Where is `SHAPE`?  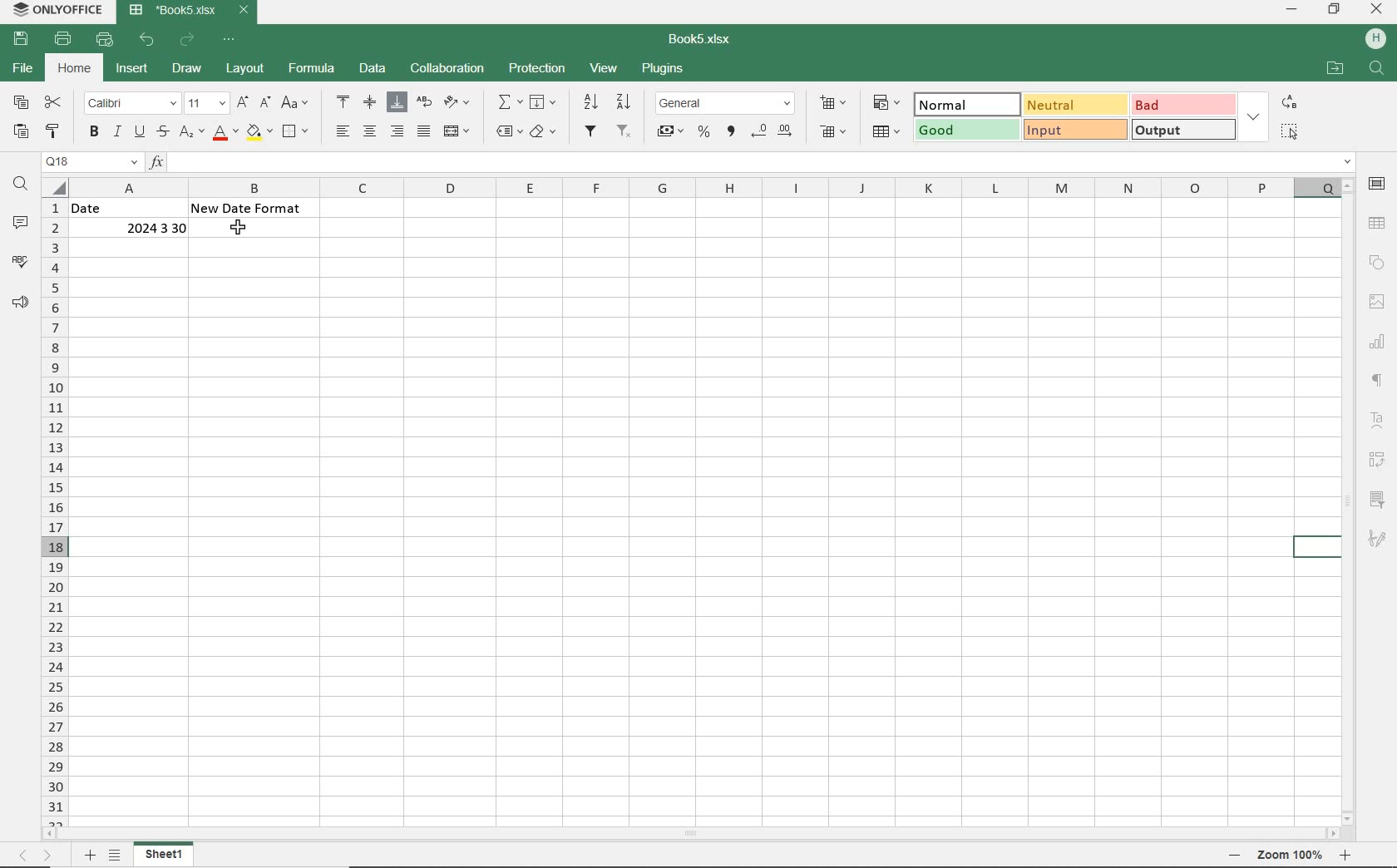
SHAPE is located at coordinates (1377, 264).